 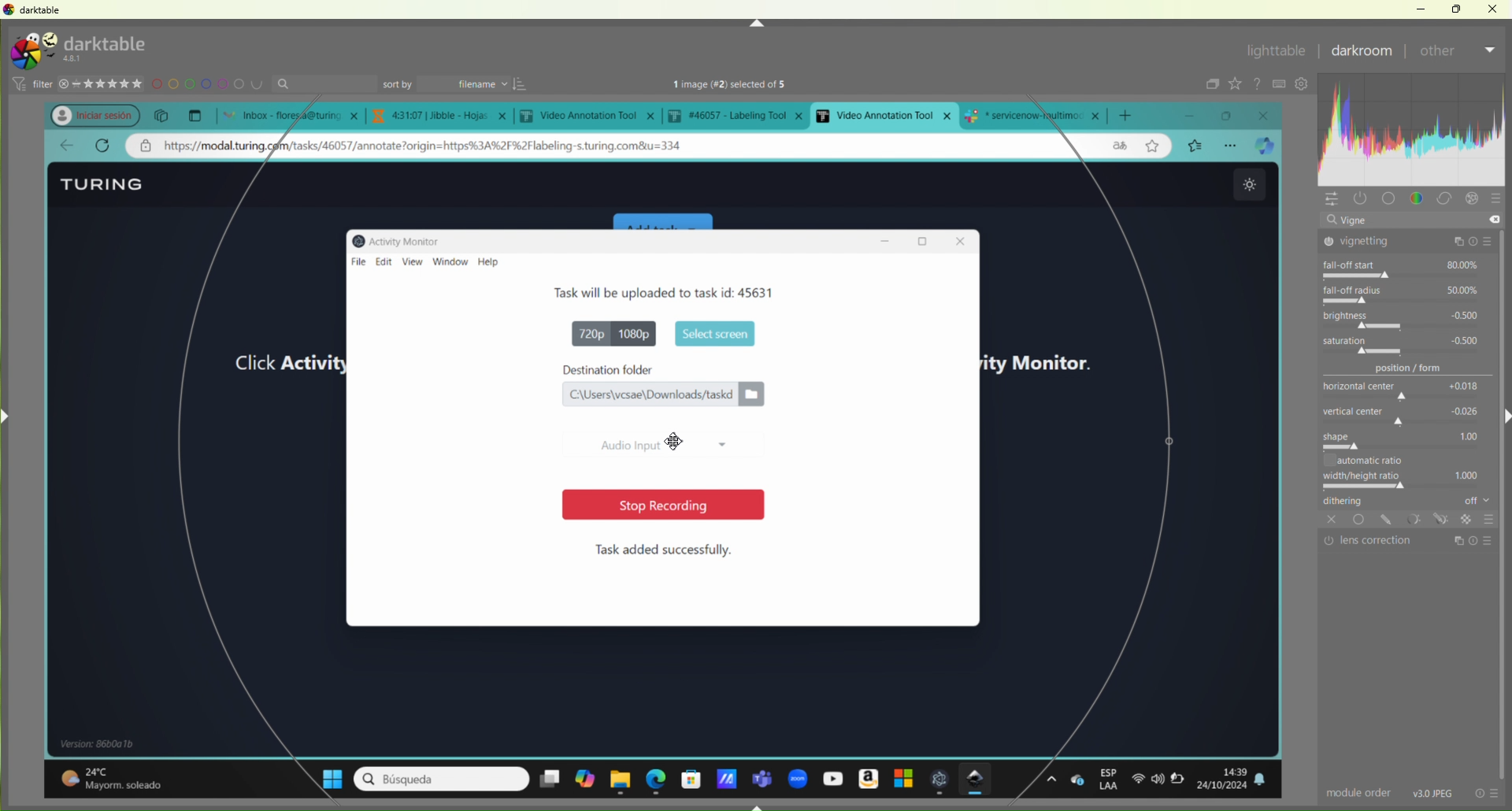 I want to click on stars, so click(x=103, y=82).